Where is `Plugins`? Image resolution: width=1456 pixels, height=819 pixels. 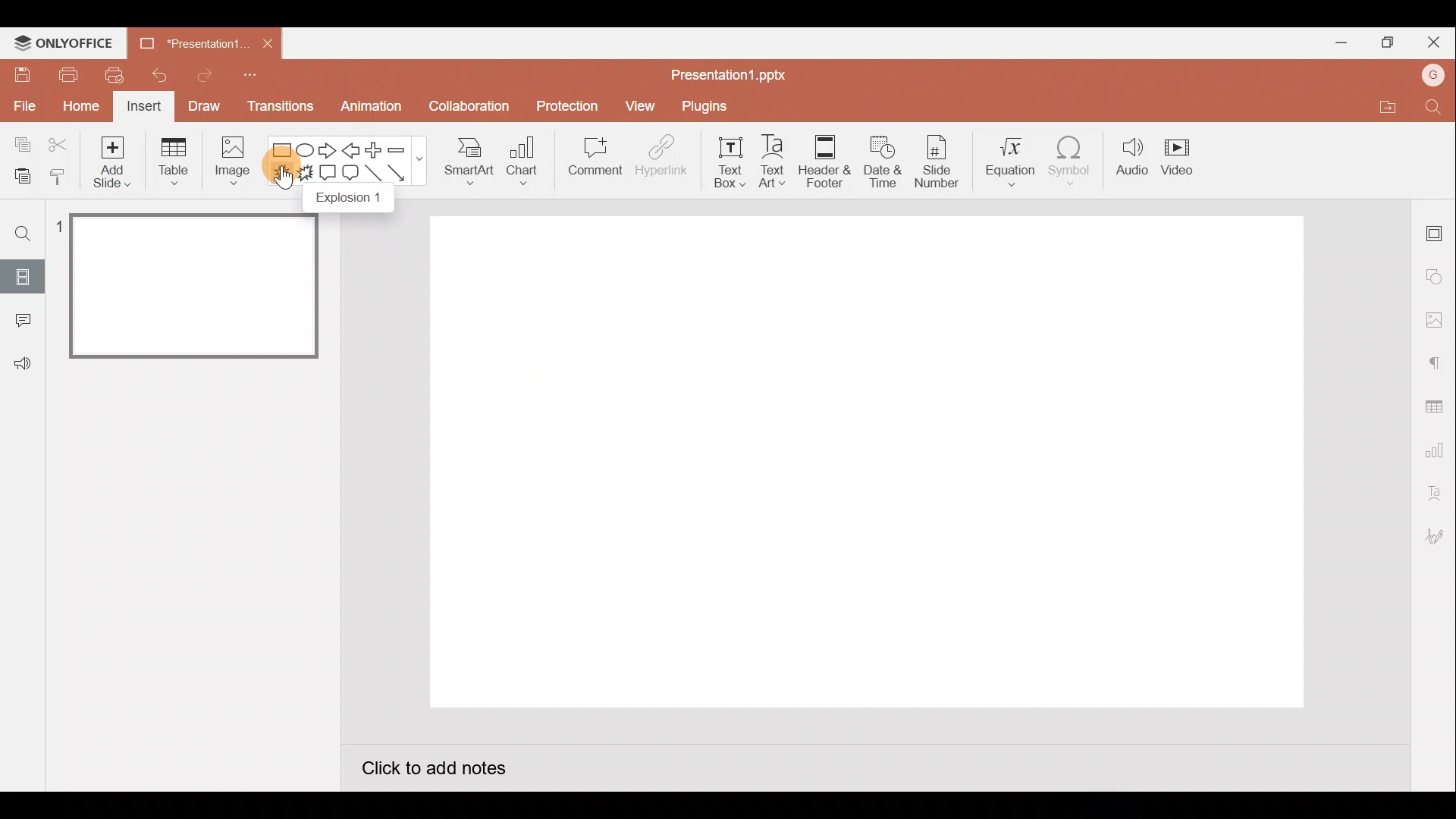
Plugins is located at coordinates (704, 103).